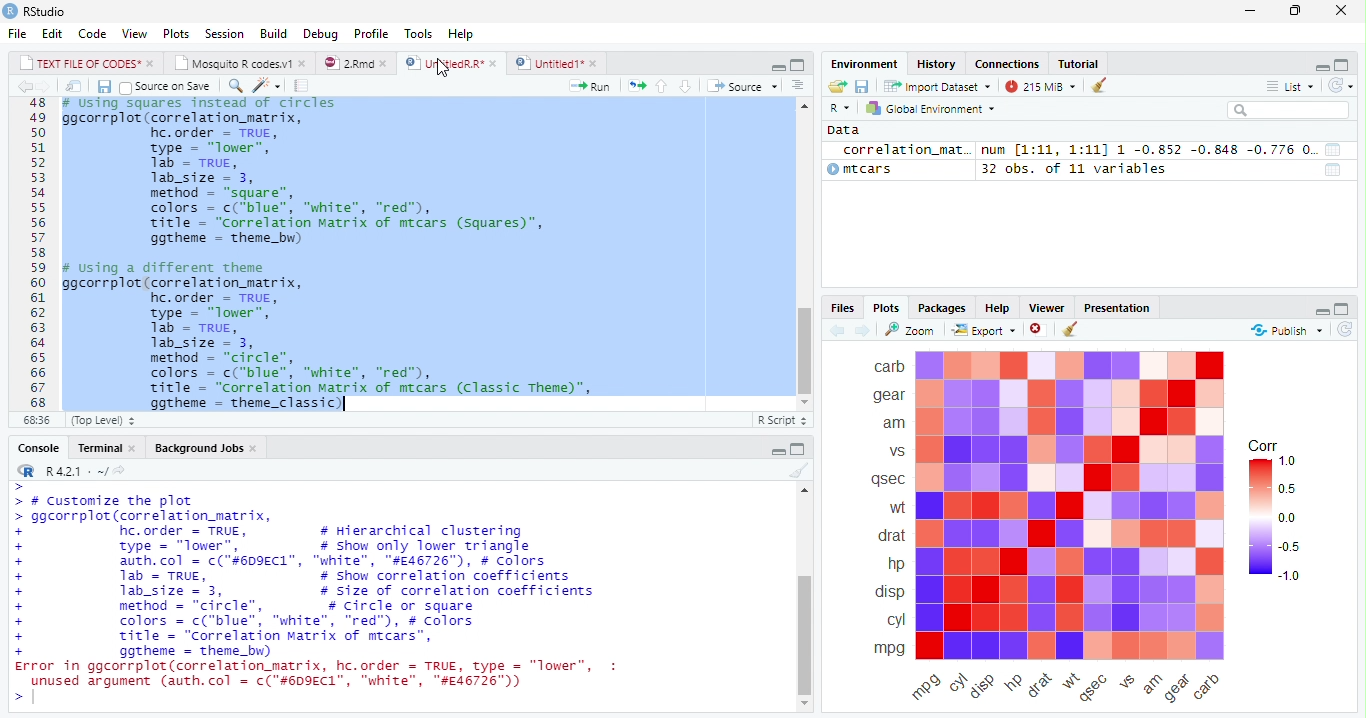 This screenshot has height=718, width=1366. I want to click on # Using squares instead of circles
ggcorrplot (correlation_matrix,
he. order = TRUE,
type = “lower”,
Tab = TRUE,
Tab_size = 3,
method - “square”,
colors = c("blue”, "white", "red",
title = "Correlation vatrix of mtcars (squares)”,
ggthene = theme_bw)
# using a different theme
ggcorrplot (correlation_matrix,
he. order = TRUE,
type = “lower”,
Tab = TRUE,
lab_size = 3,
method = “circle”,
colors = c("blue”, "white", "red",
title = "Correlation Matrix of mtcars (Classic Theme)”,
ggtheme = theme_classic)|, so click(417, 254).